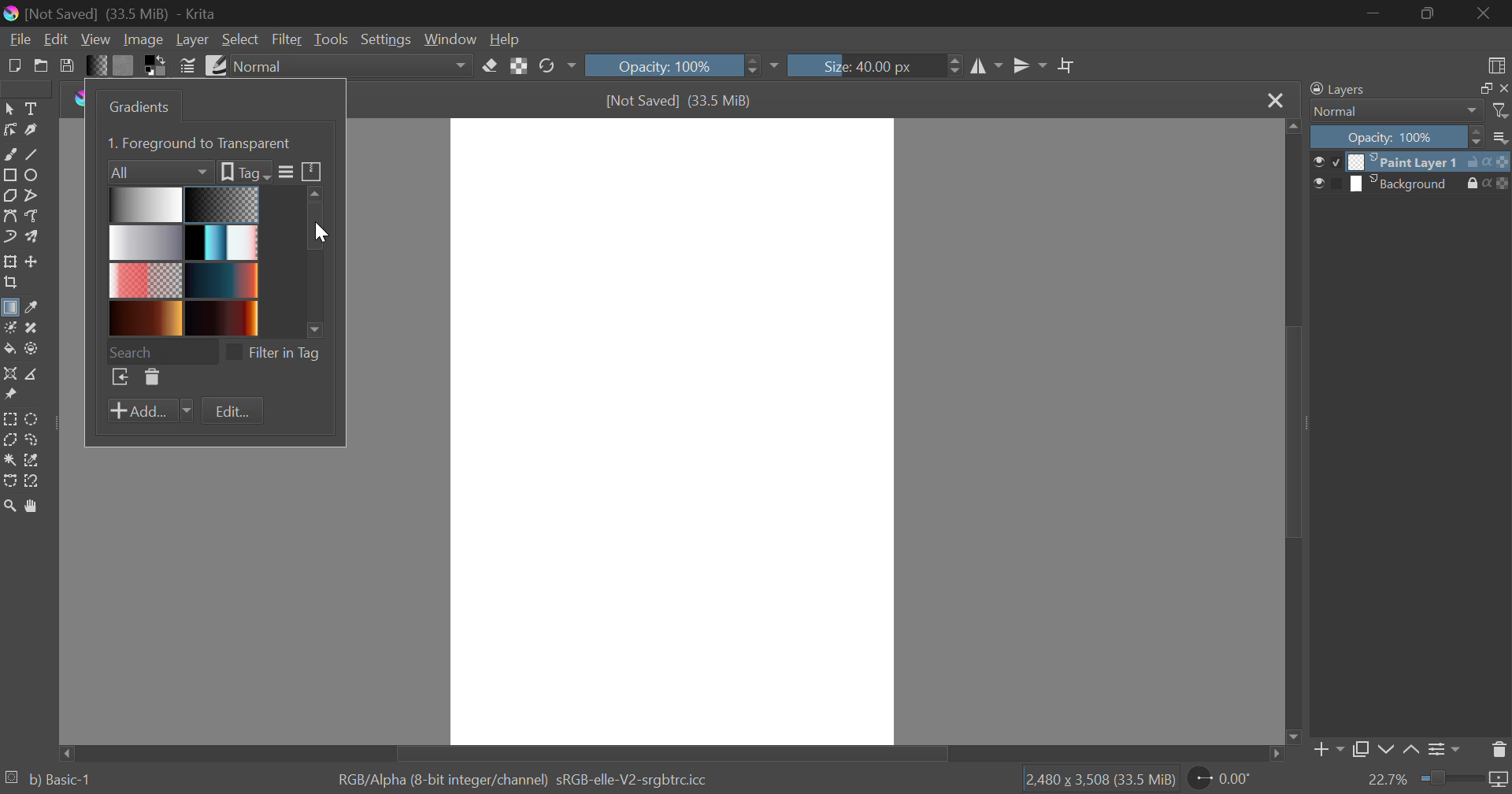  What do you see at coordinates (120, 379) in the screenshot?
I see `Import resource` at bounding box center [120, 379].